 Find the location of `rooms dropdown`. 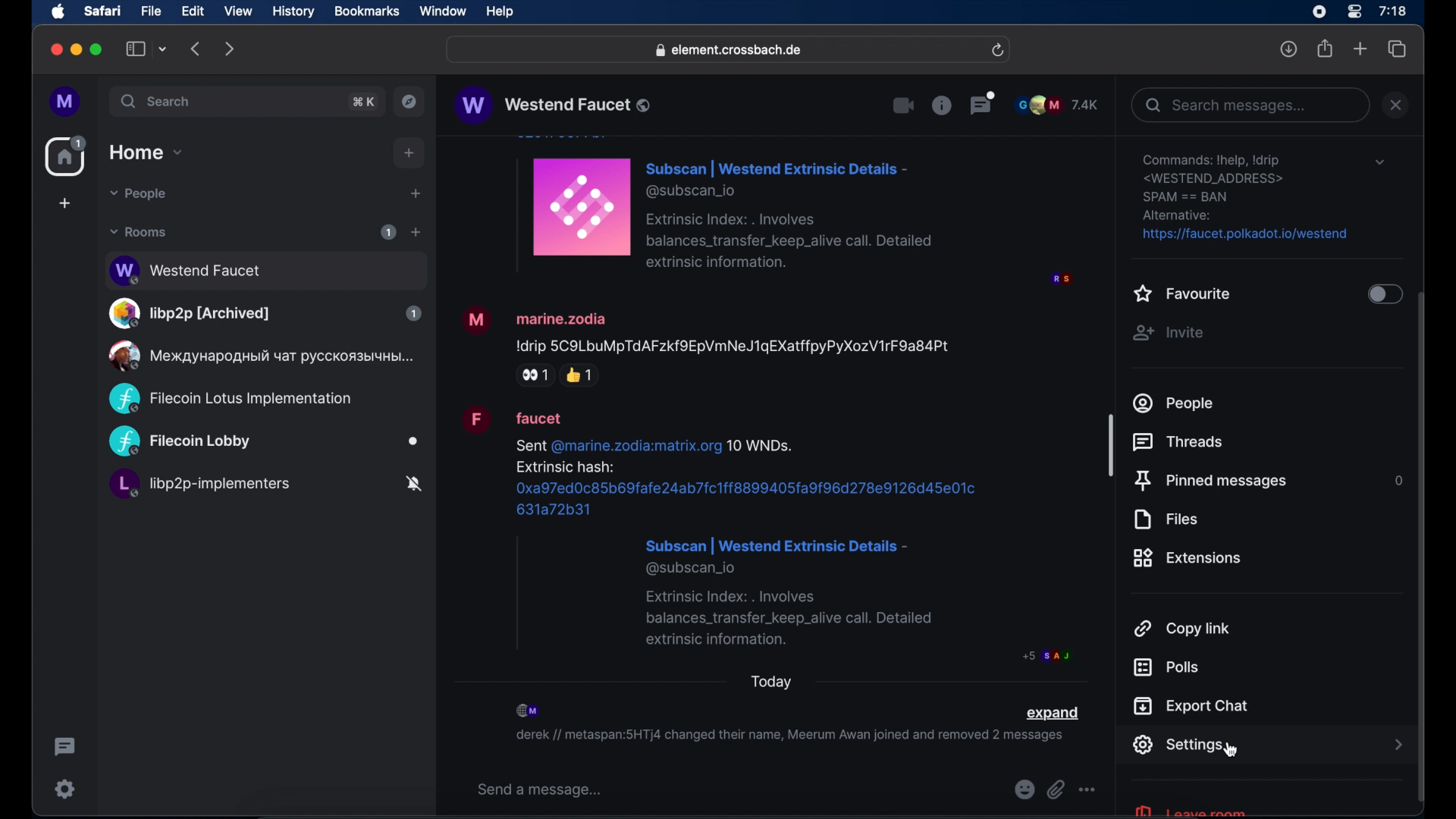

rooms dropdown is located at coordinates (139, 232).